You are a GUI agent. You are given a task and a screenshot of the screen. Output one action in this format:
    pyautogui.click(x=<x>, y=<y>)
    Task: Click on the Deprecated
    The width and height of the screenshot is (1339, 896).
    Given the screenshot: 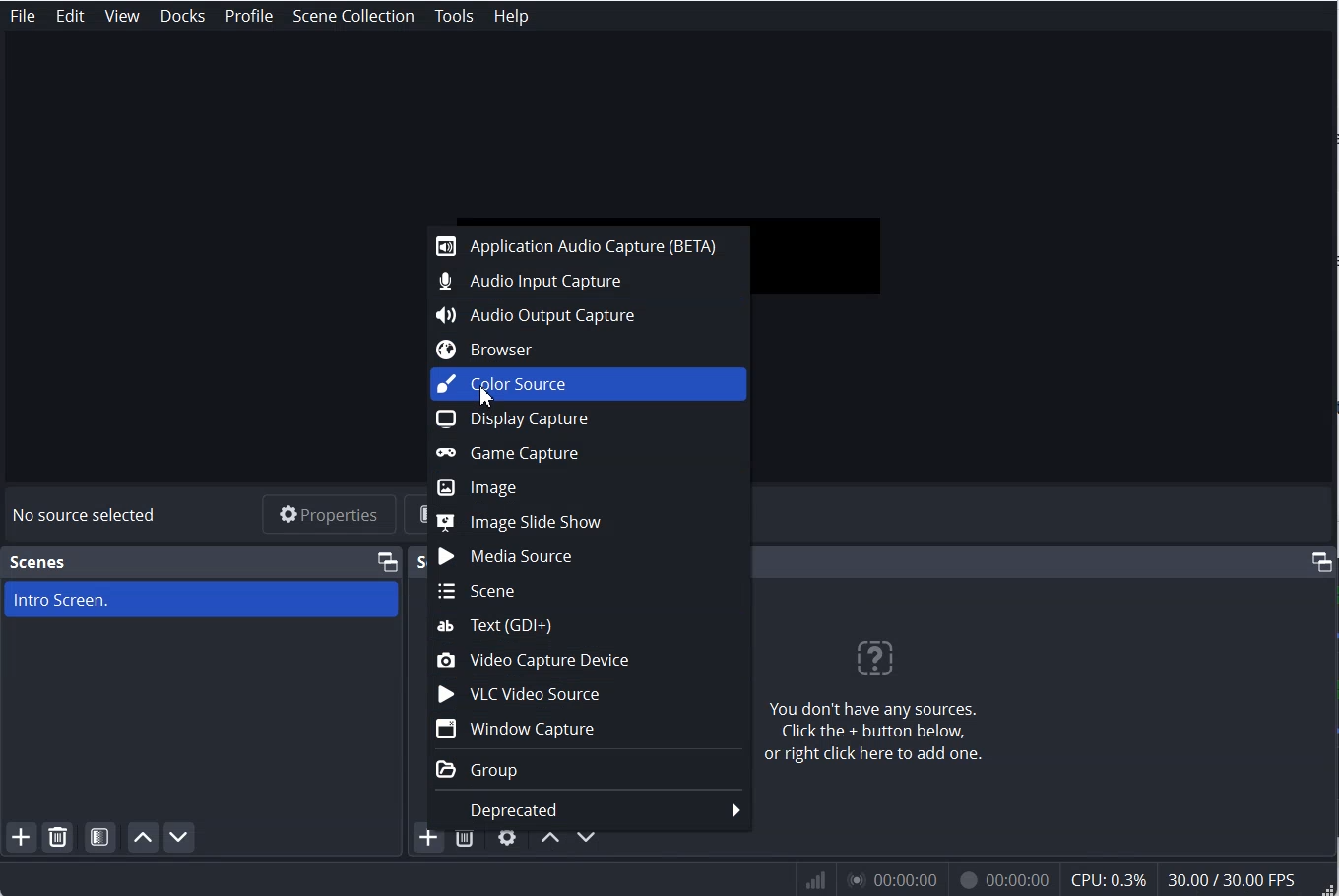 What is the action you would take?
    pyautogui.click(x=588, y=810)
    